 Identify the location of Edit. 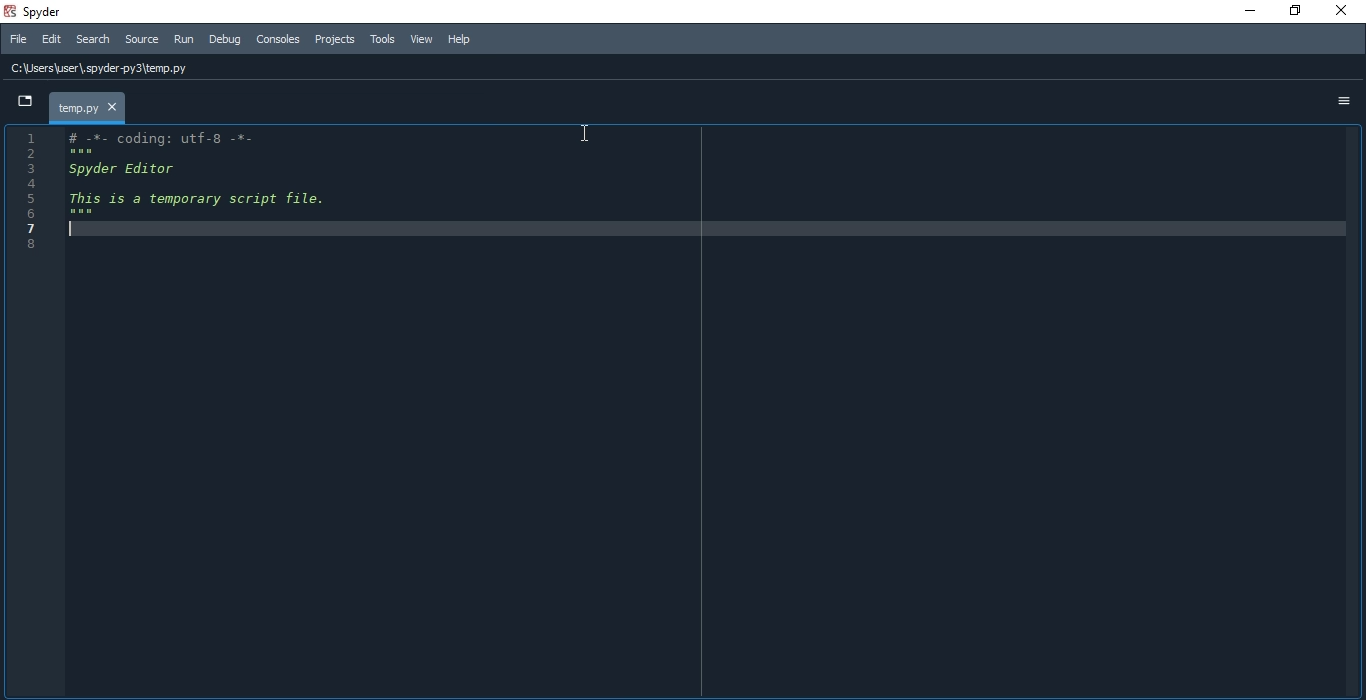
(54, 40).